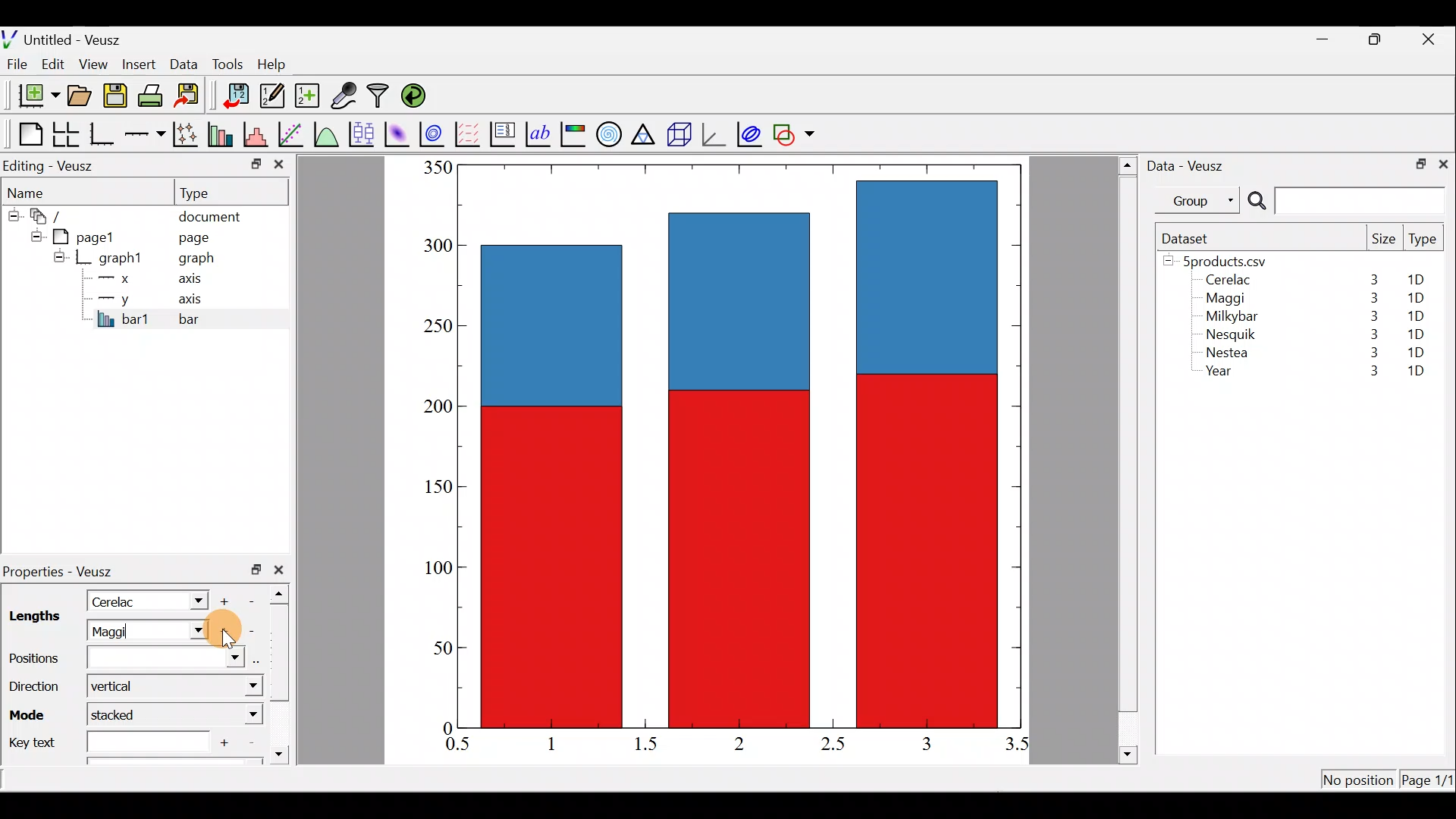 This screenshot has width=1456, height=819. I want to click on restore down, so click(1416, 162).